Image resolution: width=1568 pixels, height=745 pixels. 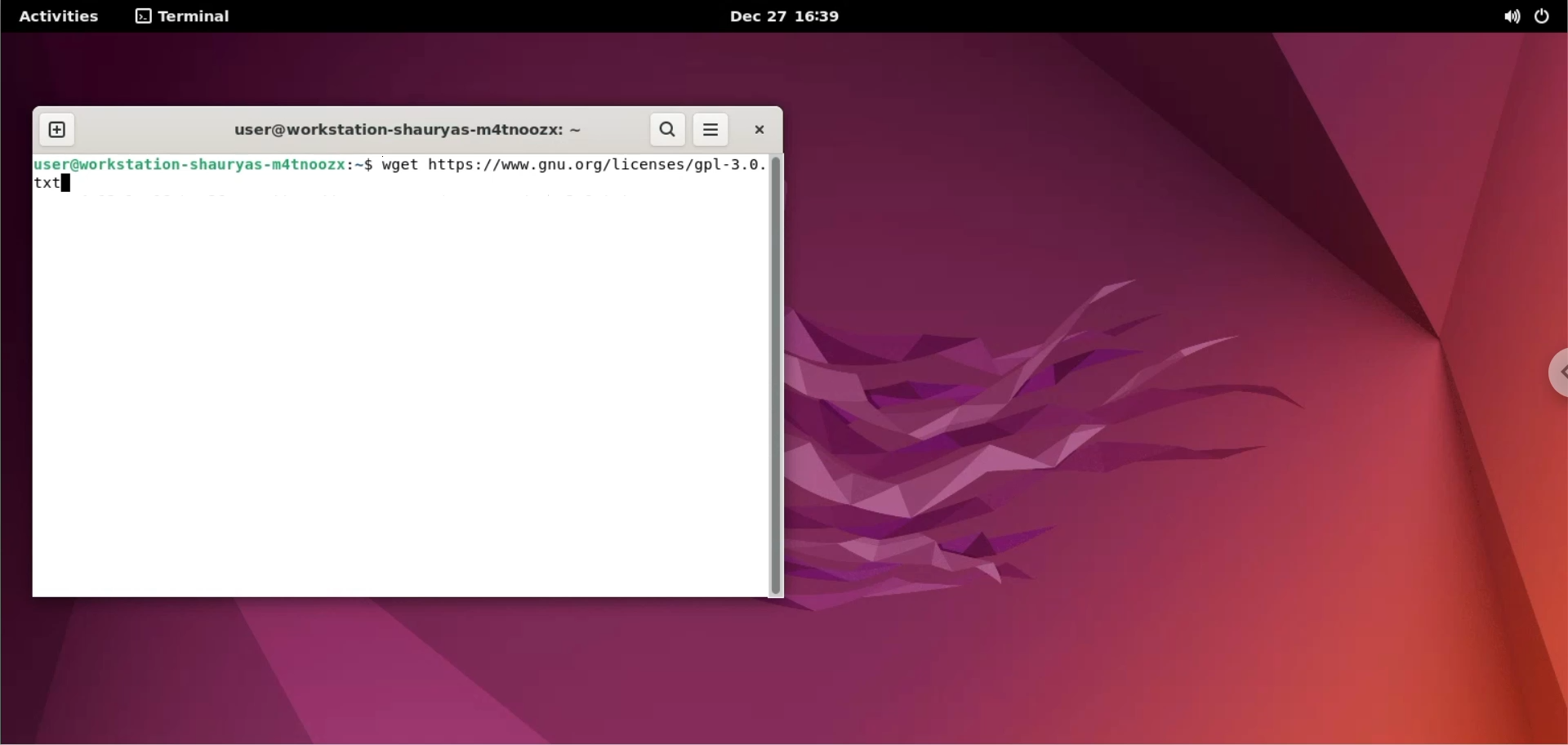 I want to click on wget https://www.gnu.org/licenses/gpl-3.0., so click(x=570, y=166).